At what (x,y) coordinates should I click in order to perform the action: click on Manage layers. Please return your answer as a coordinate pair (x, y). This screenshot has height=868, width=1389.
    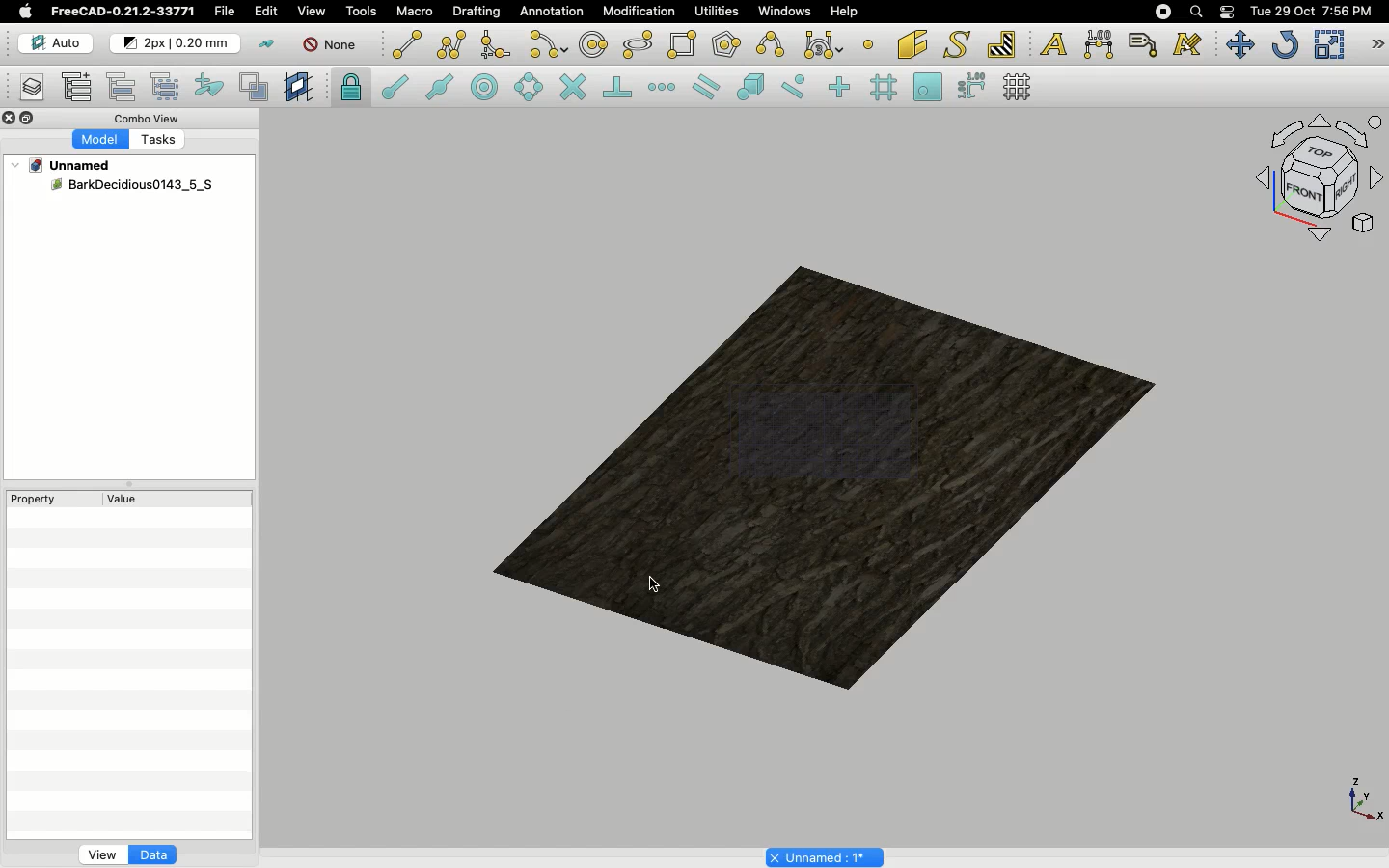
    Looking at the image, I should click on (25, 89).